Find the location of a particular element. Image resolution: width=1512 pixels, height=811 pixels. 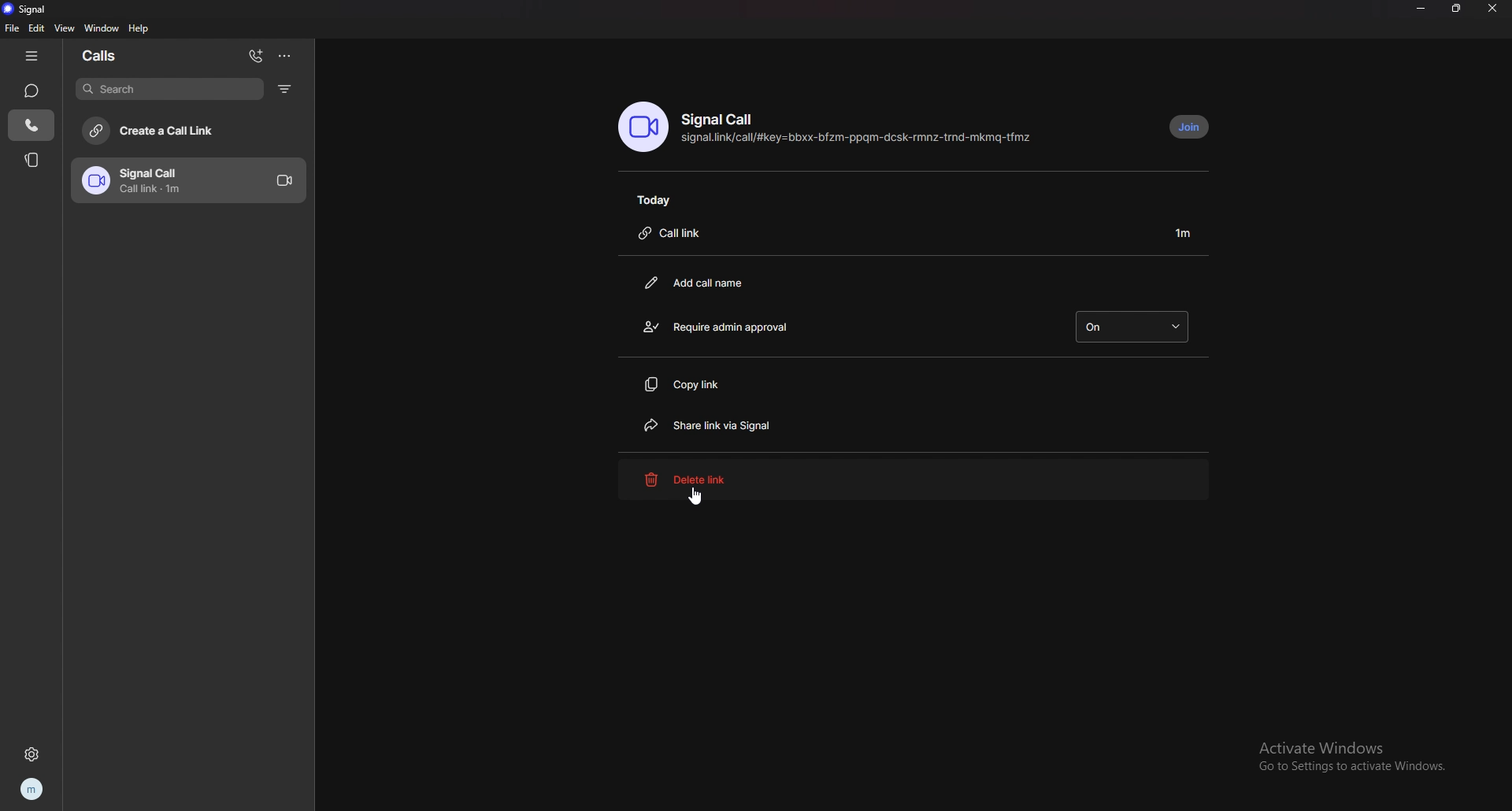

chat is located at coordinates (32, 91).